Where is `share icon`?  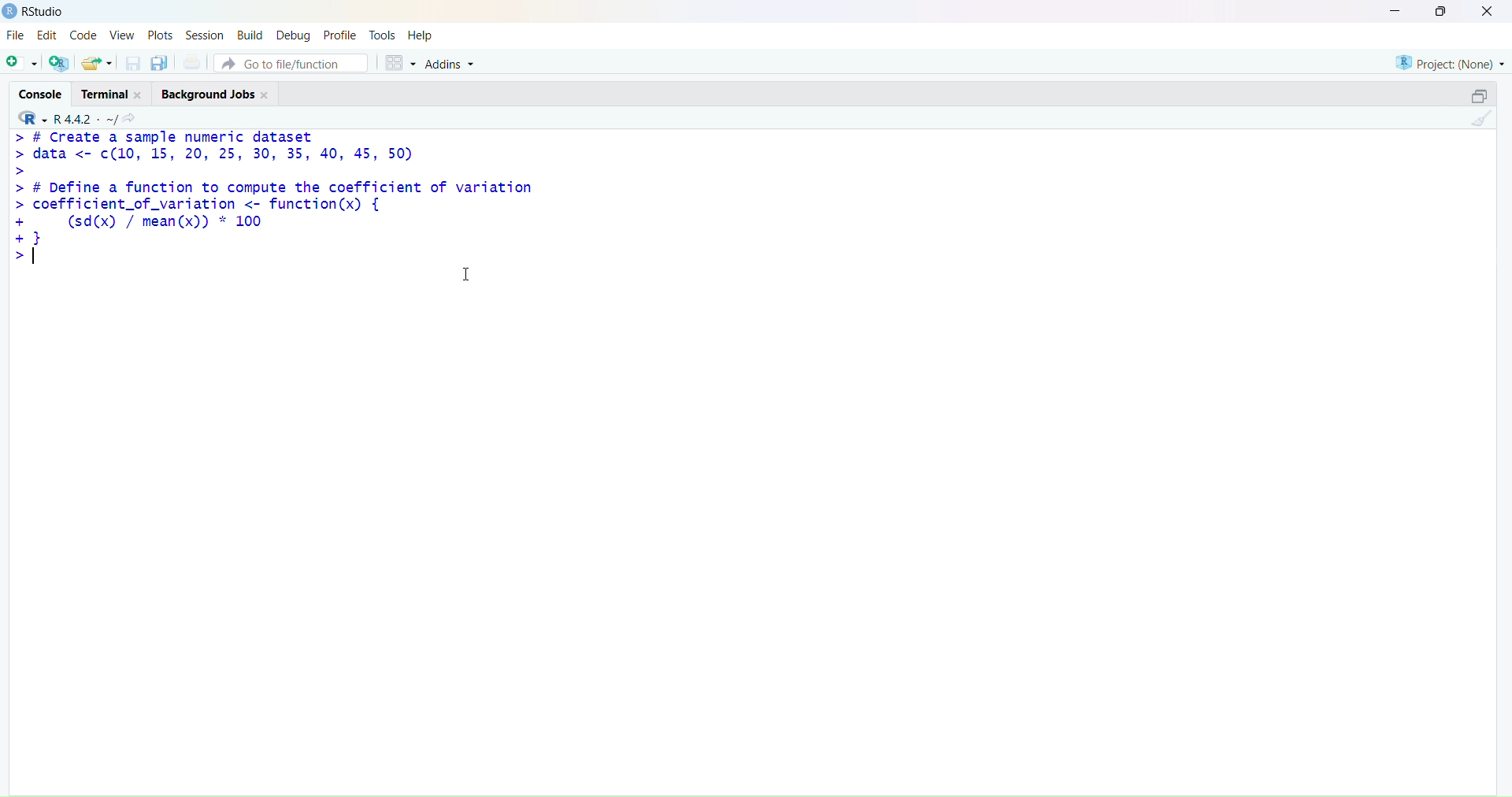
share icon is located at coordinates (130, 118).